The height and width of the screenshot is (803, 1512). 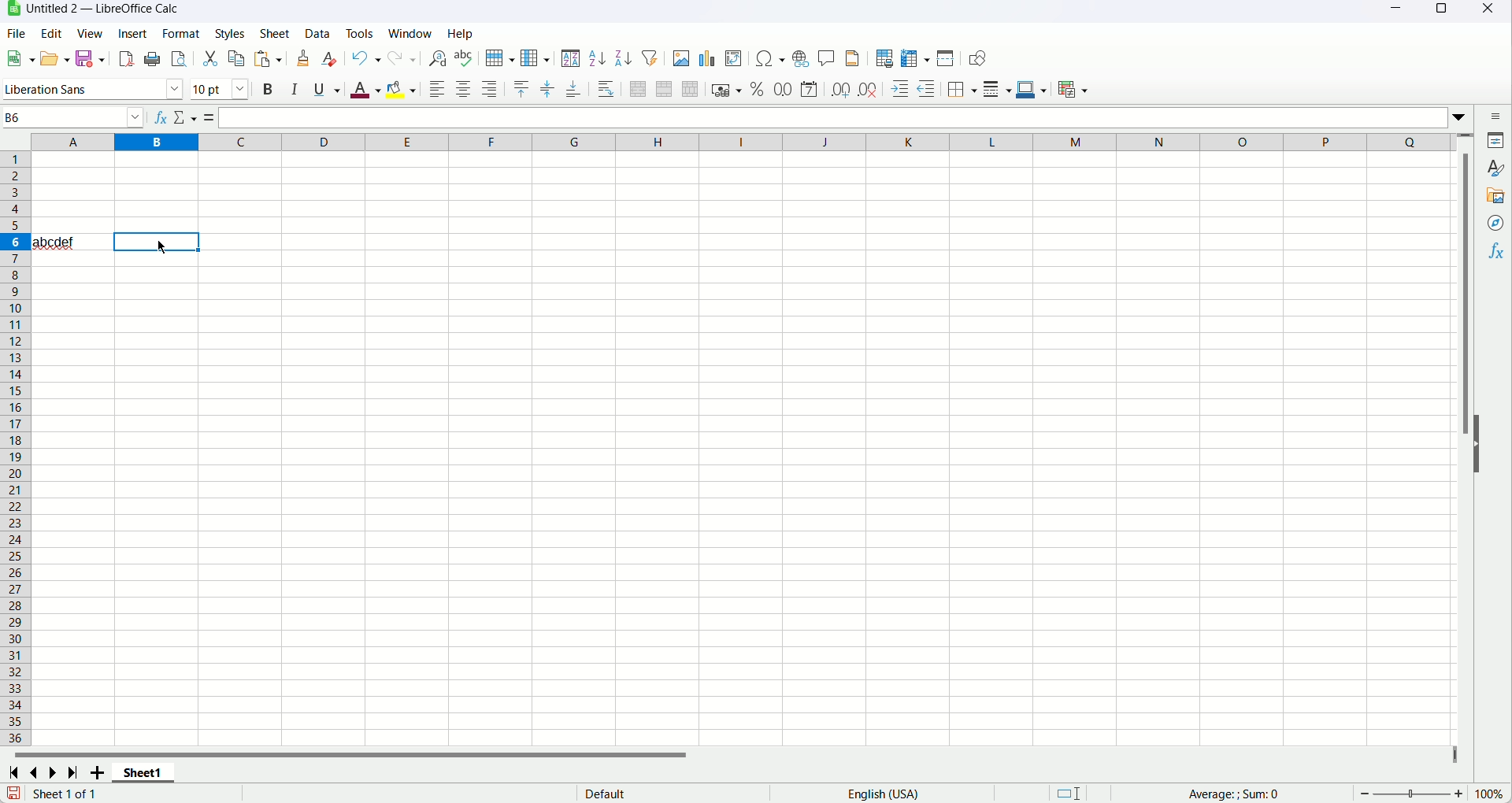 I want to click on align right, so click(x=489, y=89).